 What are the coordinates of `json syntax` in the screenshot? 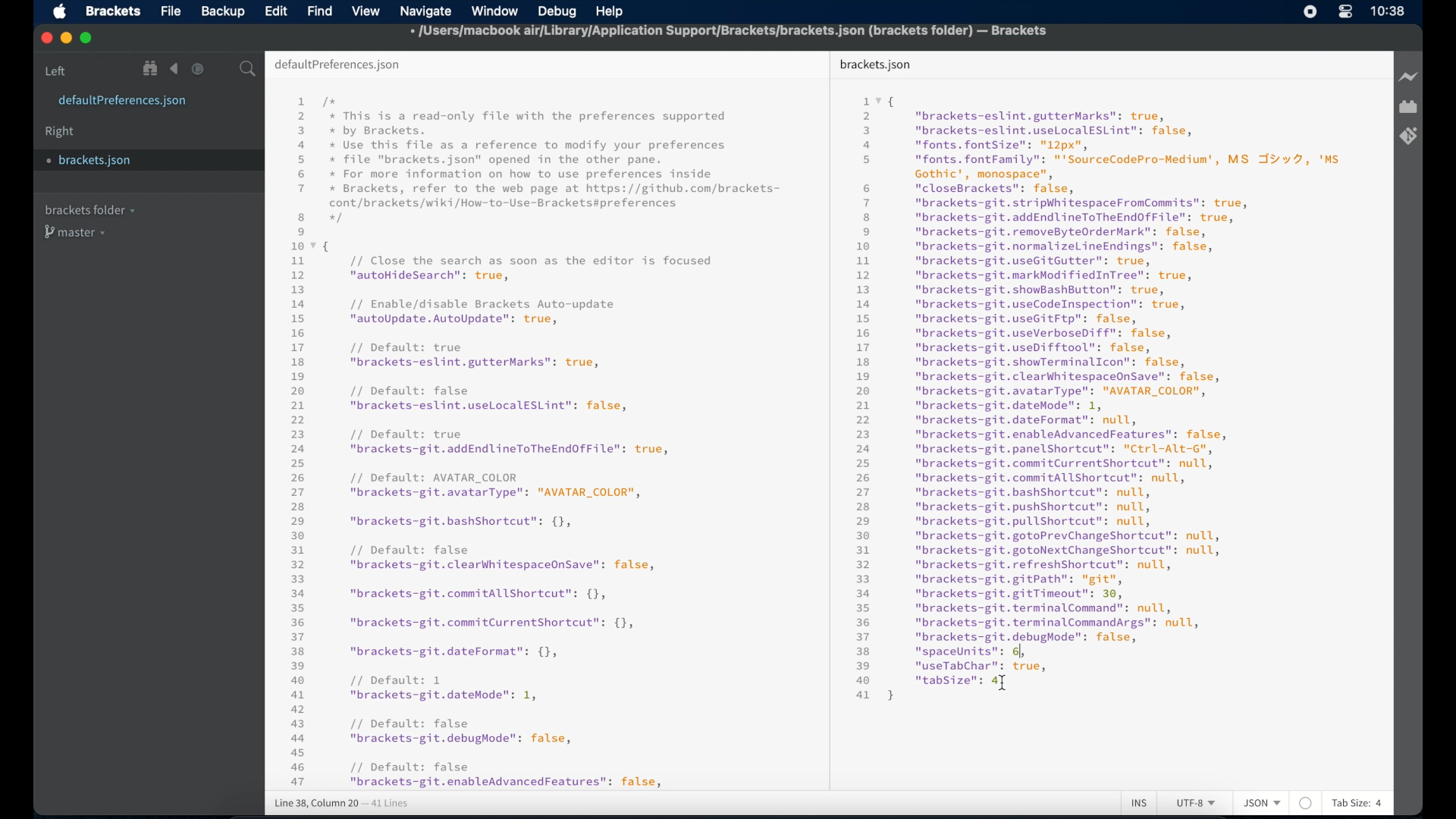 It's located at (535, 441).